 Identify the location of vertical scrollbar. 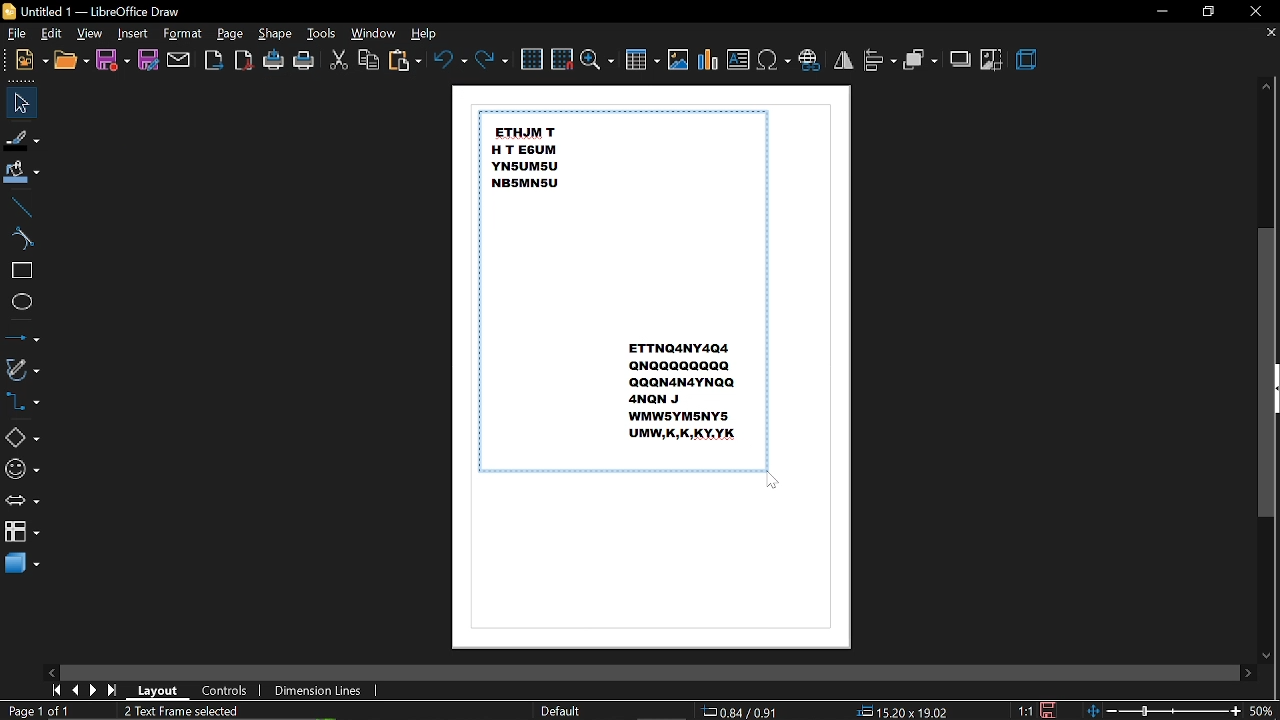
(1267, 371).